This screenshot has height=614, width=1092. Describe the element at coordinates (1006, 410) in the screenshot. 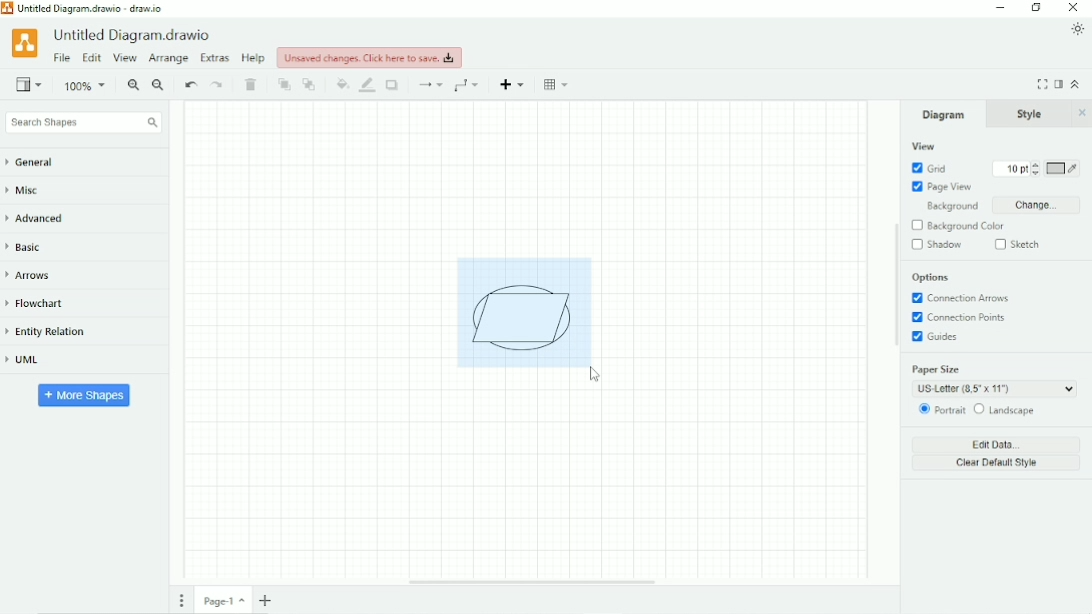

I see `Landscape` at that location.